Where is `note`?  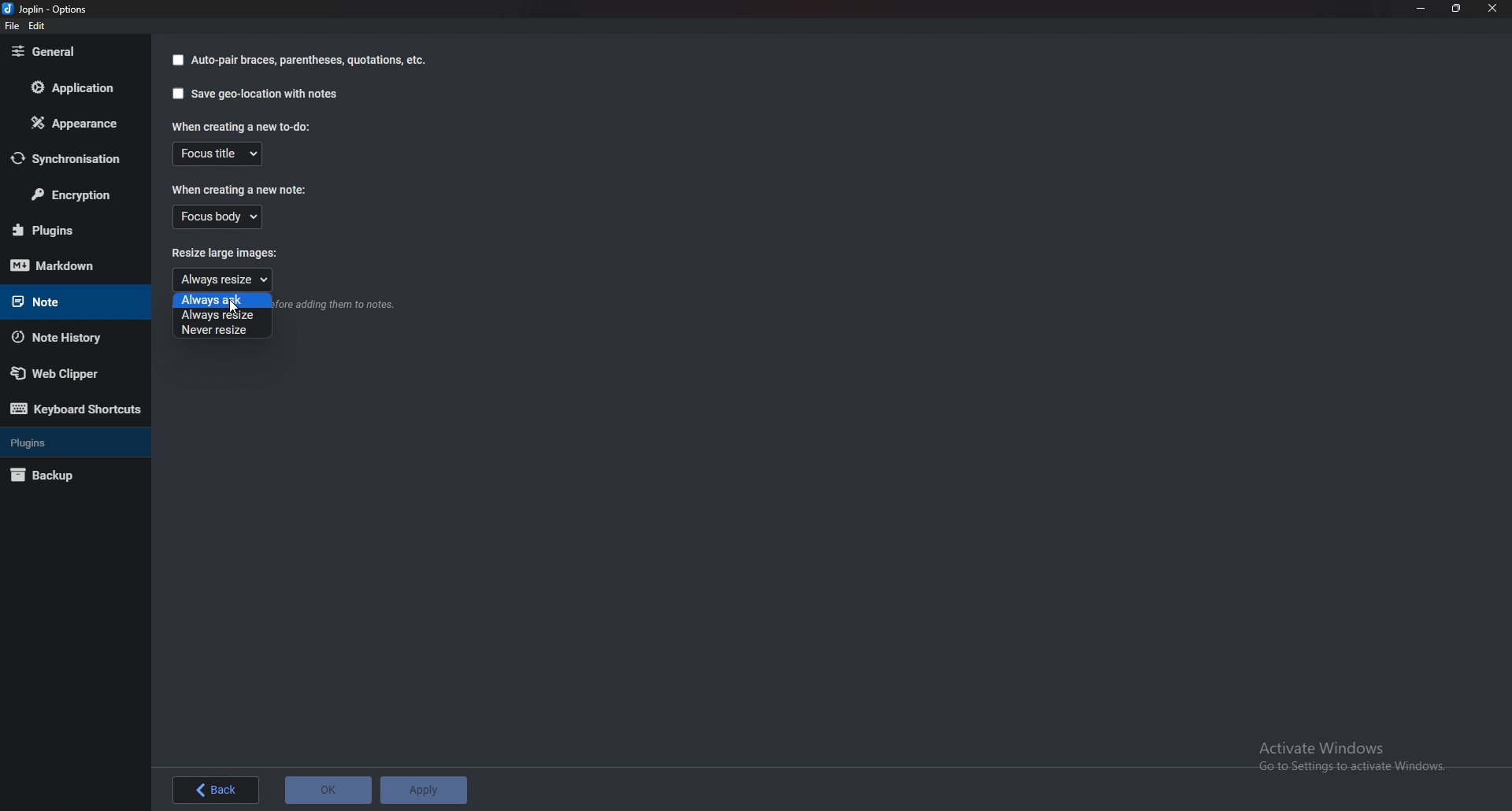 note is located at coordinates (64, 300).